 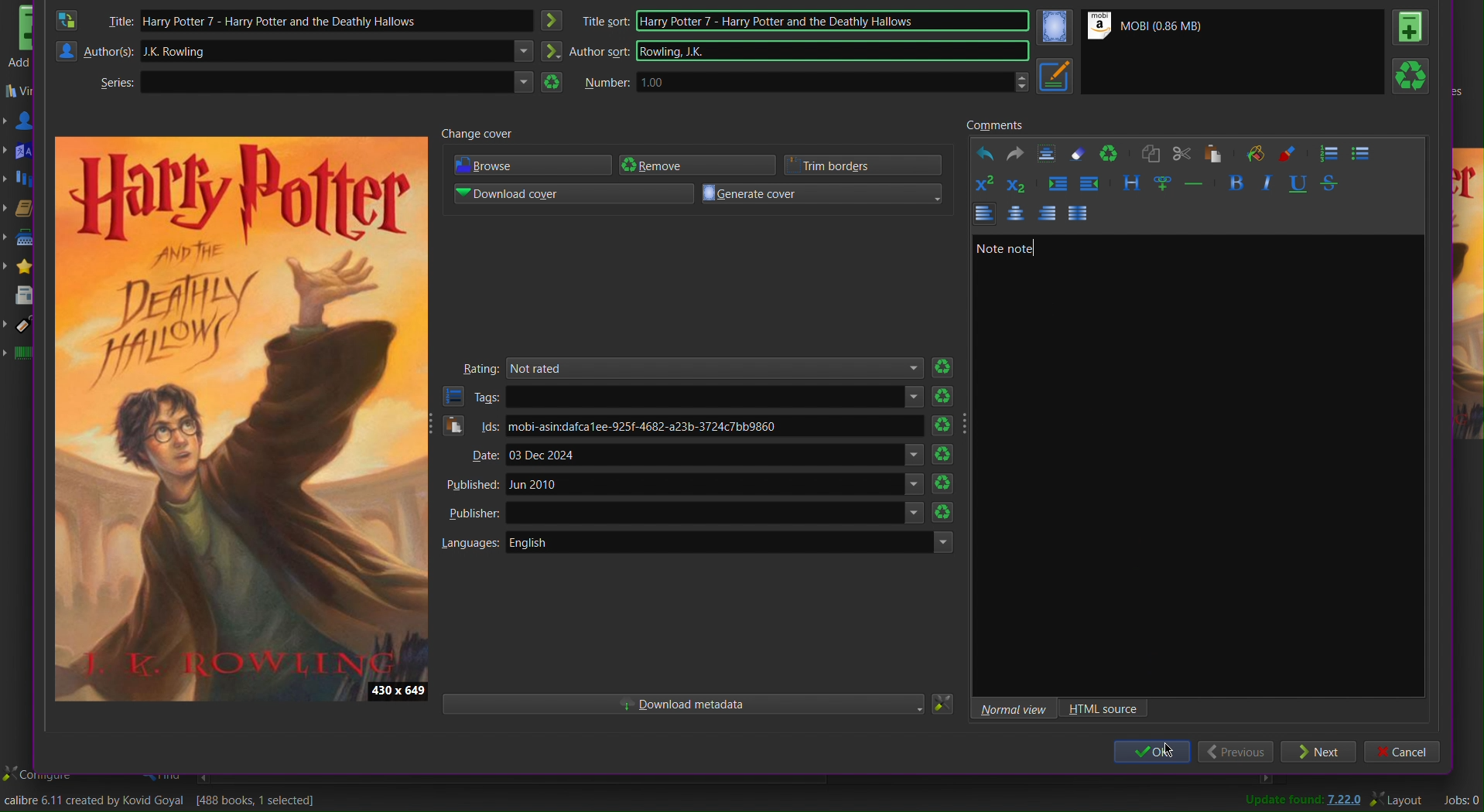 I want to click on Download cover, so click(x=576, y=193).